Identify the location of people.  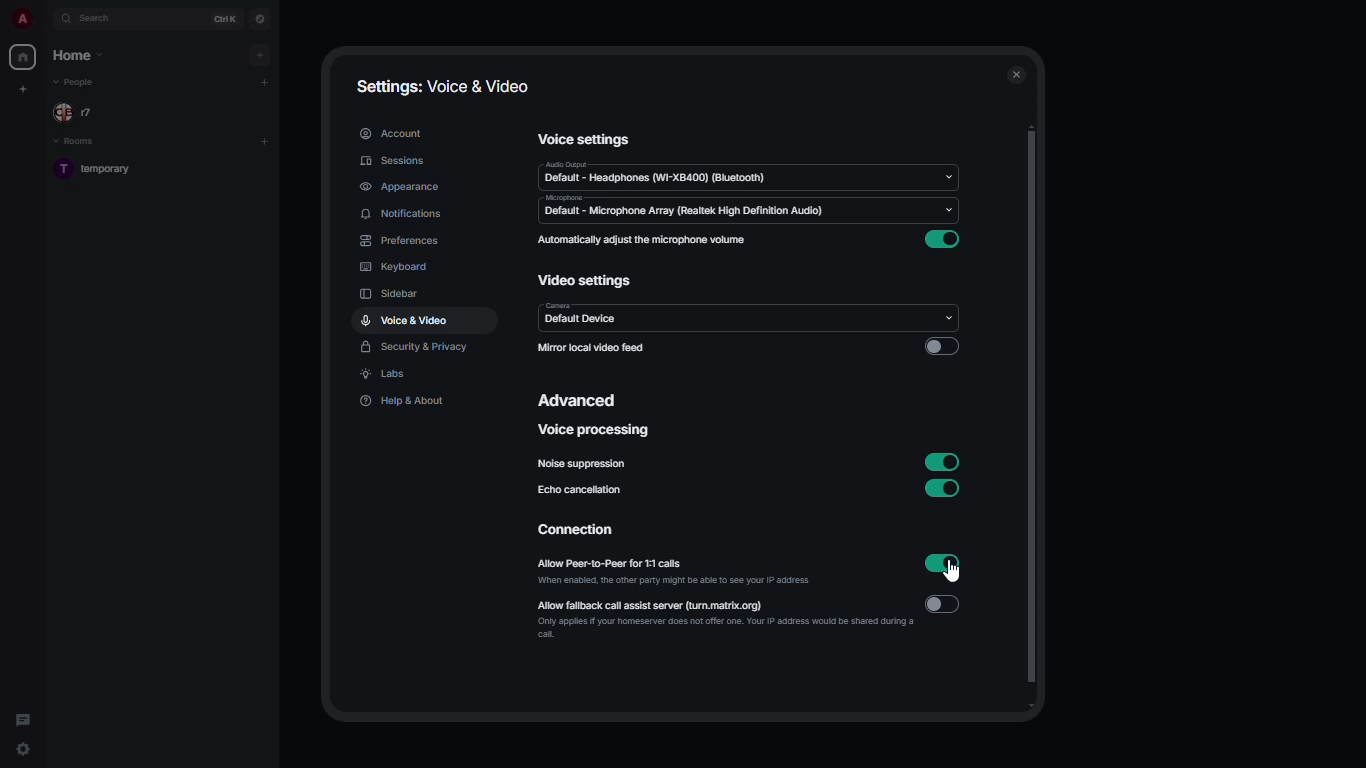
(77, 83).